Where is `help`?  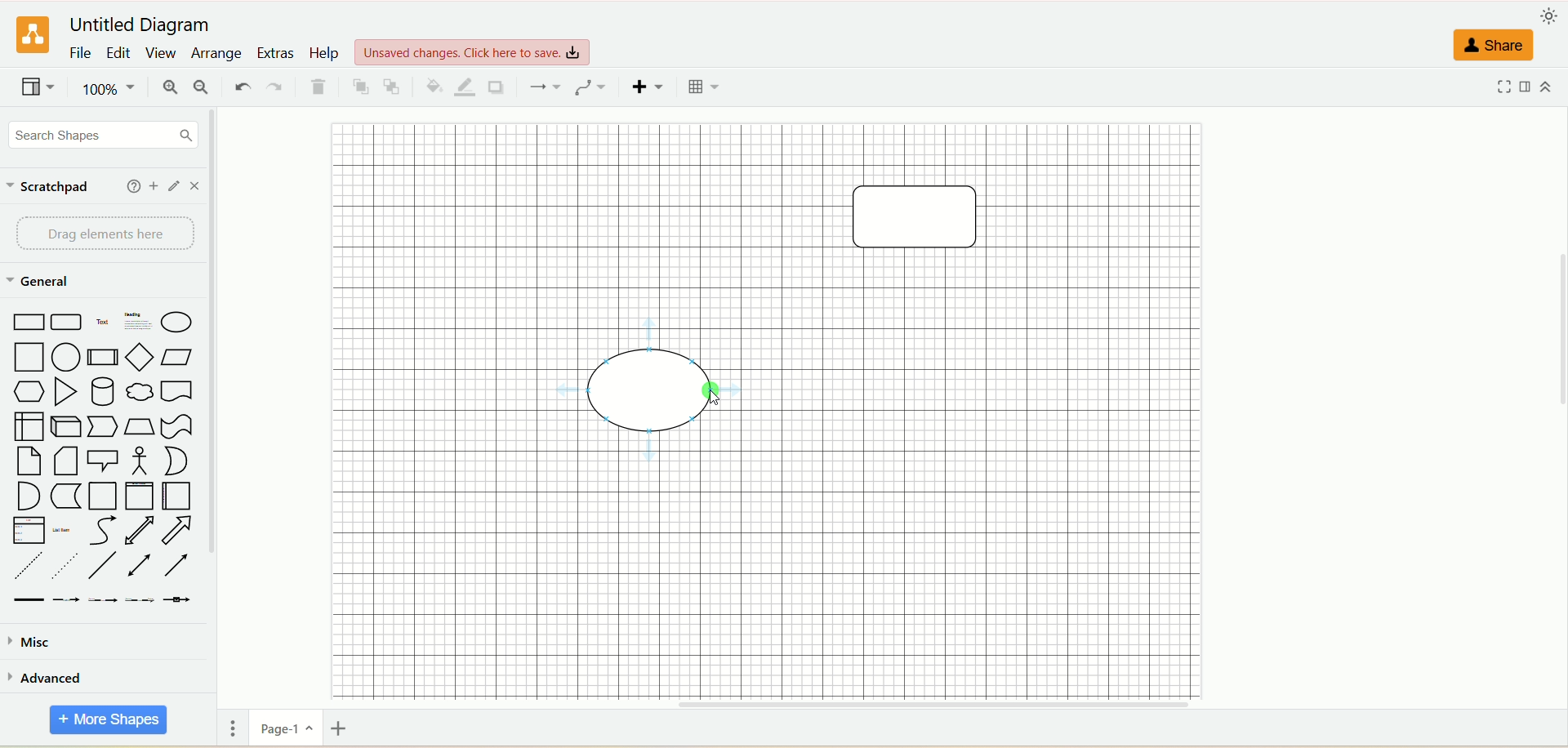
help is located at coordinates (129, 186).